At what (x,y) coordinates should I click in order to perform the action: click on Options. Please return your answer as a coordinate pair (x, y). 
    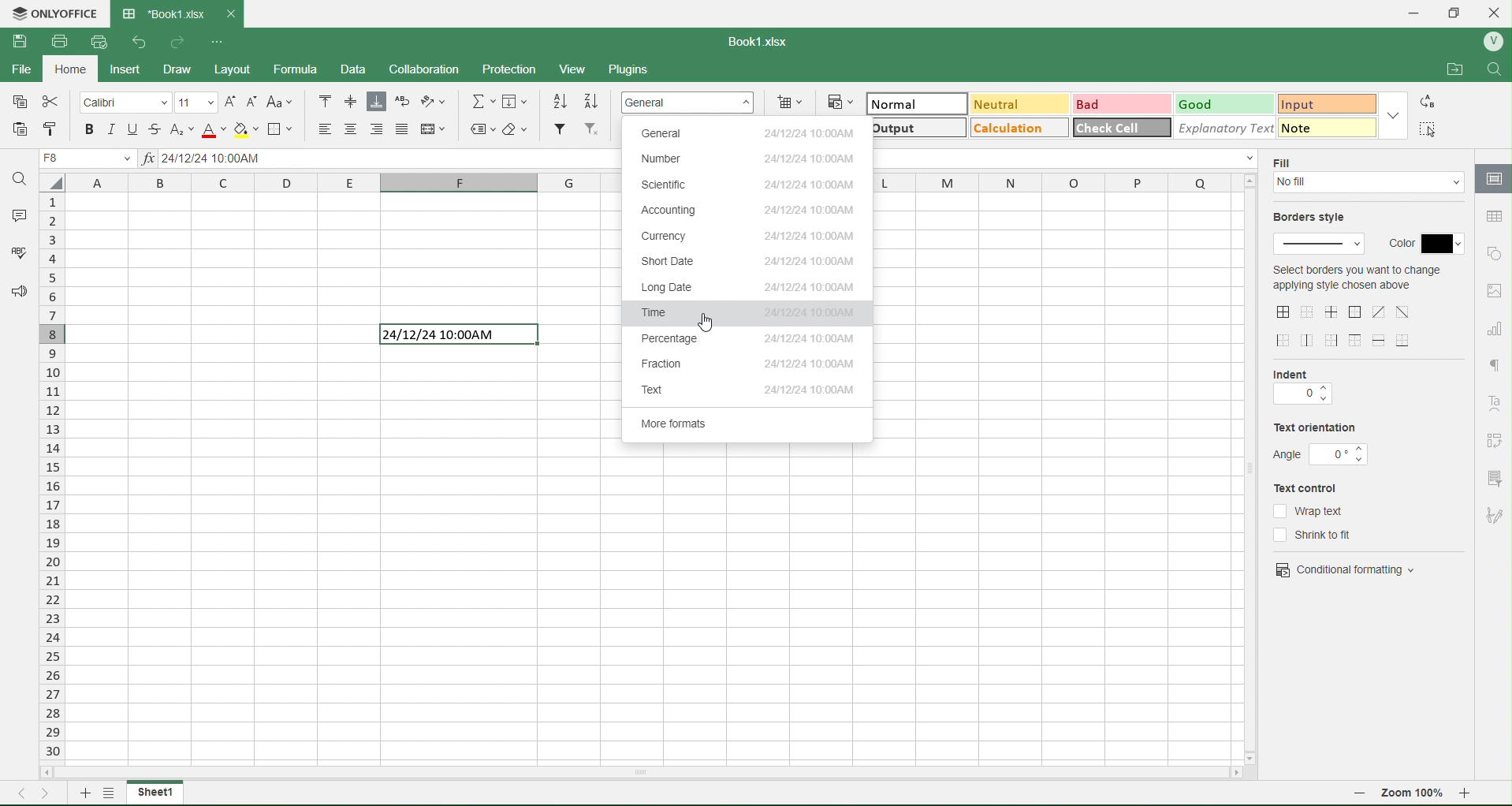
    Looking at the image, I should click on (106, 795).